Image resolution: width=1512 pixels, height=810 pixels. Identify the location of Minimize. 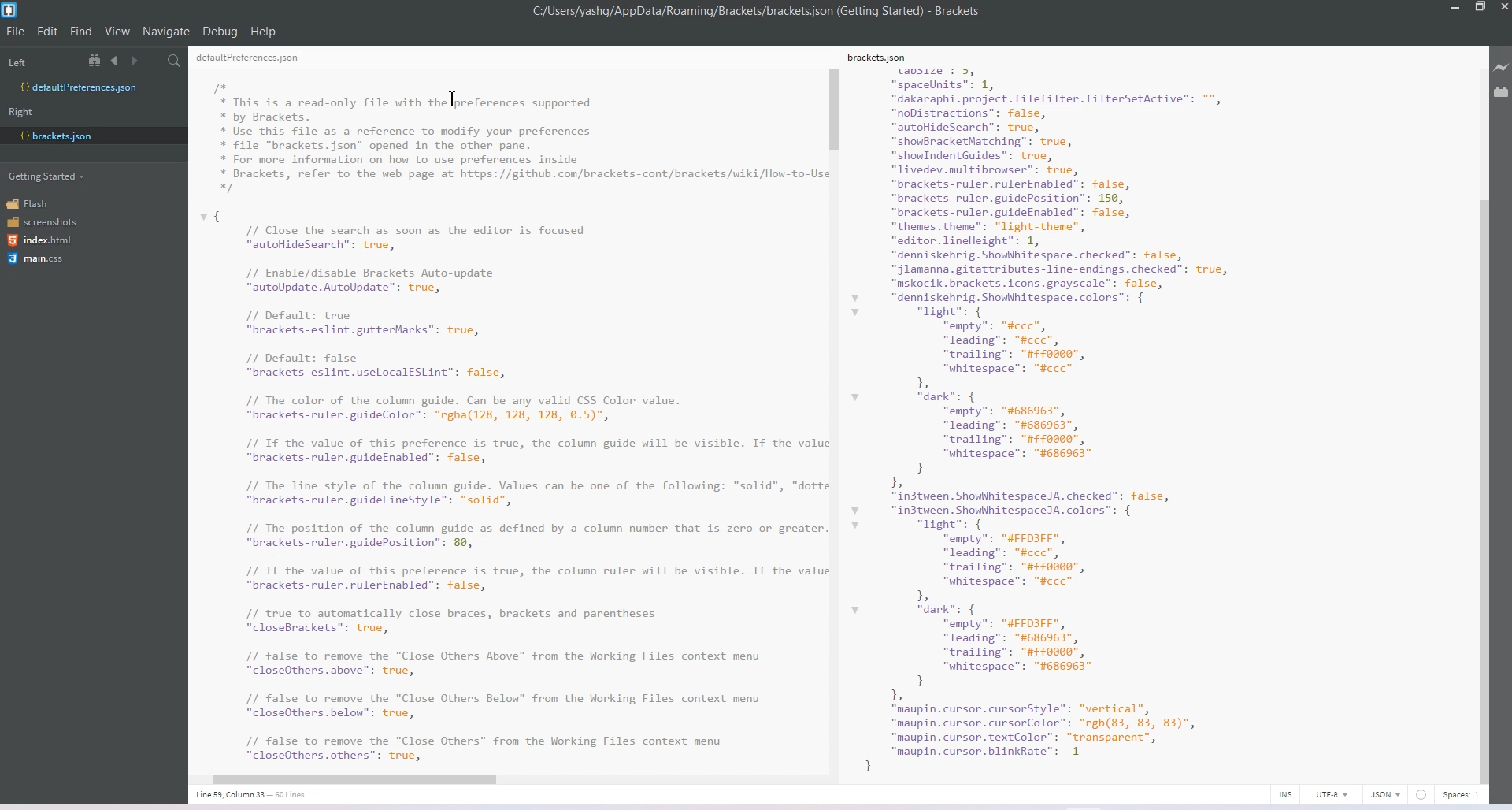
(1457, 8).